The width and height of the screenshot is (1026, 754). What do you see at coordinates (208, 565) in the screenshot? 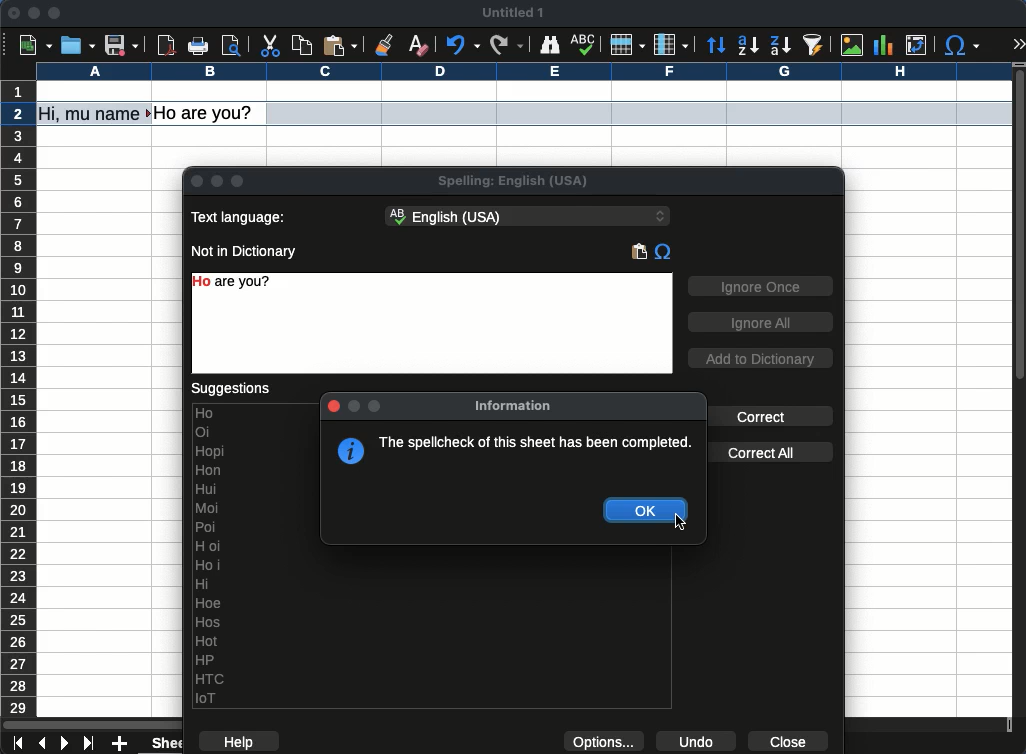
I see `Ho i` at bounding box center [208, 565].